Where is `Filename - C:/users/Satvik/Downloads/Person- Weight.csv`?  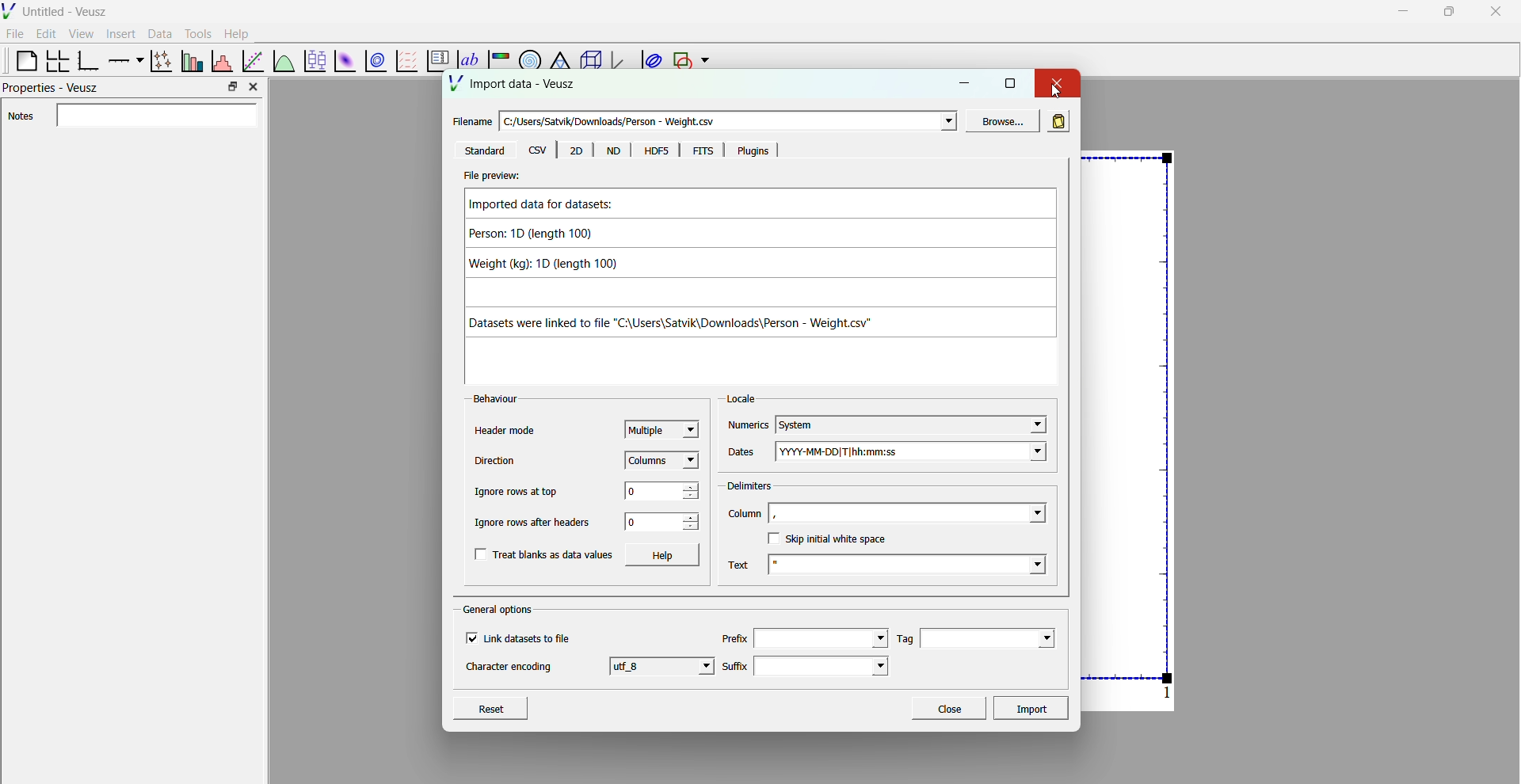
Filename - C:/users/Satvik/Downloads/Person- Weight.csv is located at coordinates (603, 116).